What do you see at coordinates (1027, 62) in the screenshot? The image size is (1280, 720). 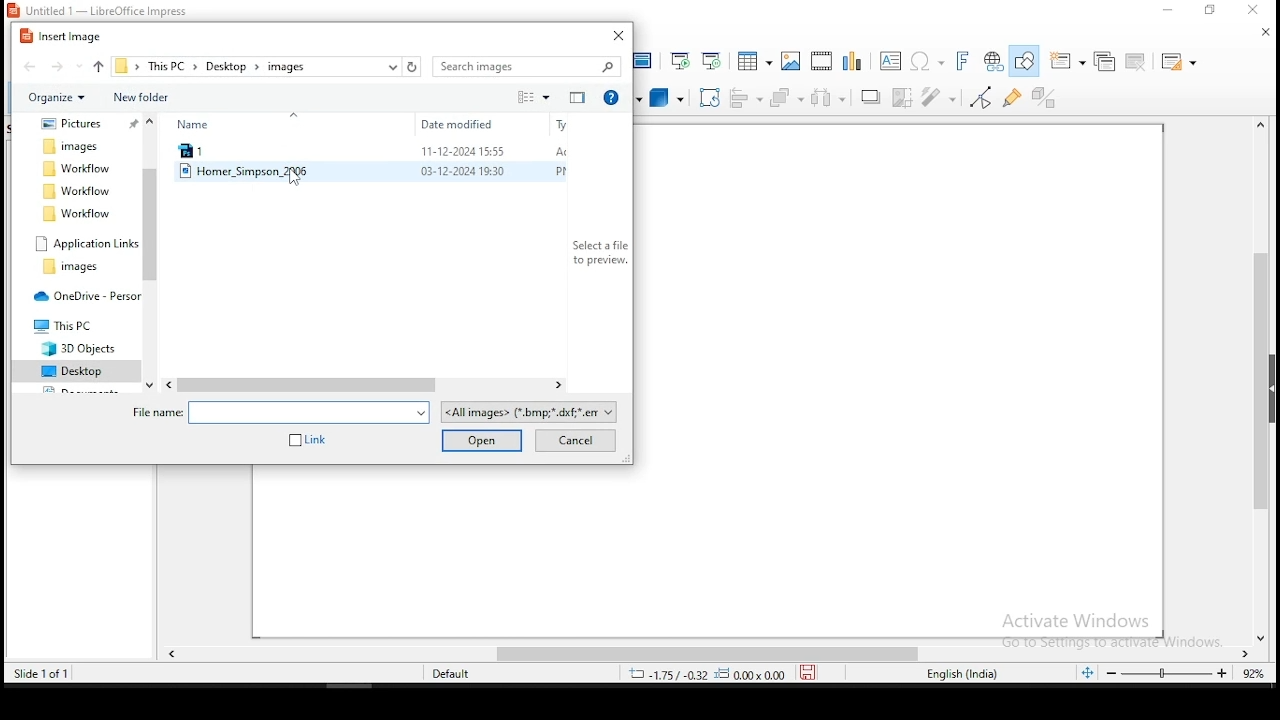 I see `show draw functions` at bounding box center [1027, 62].